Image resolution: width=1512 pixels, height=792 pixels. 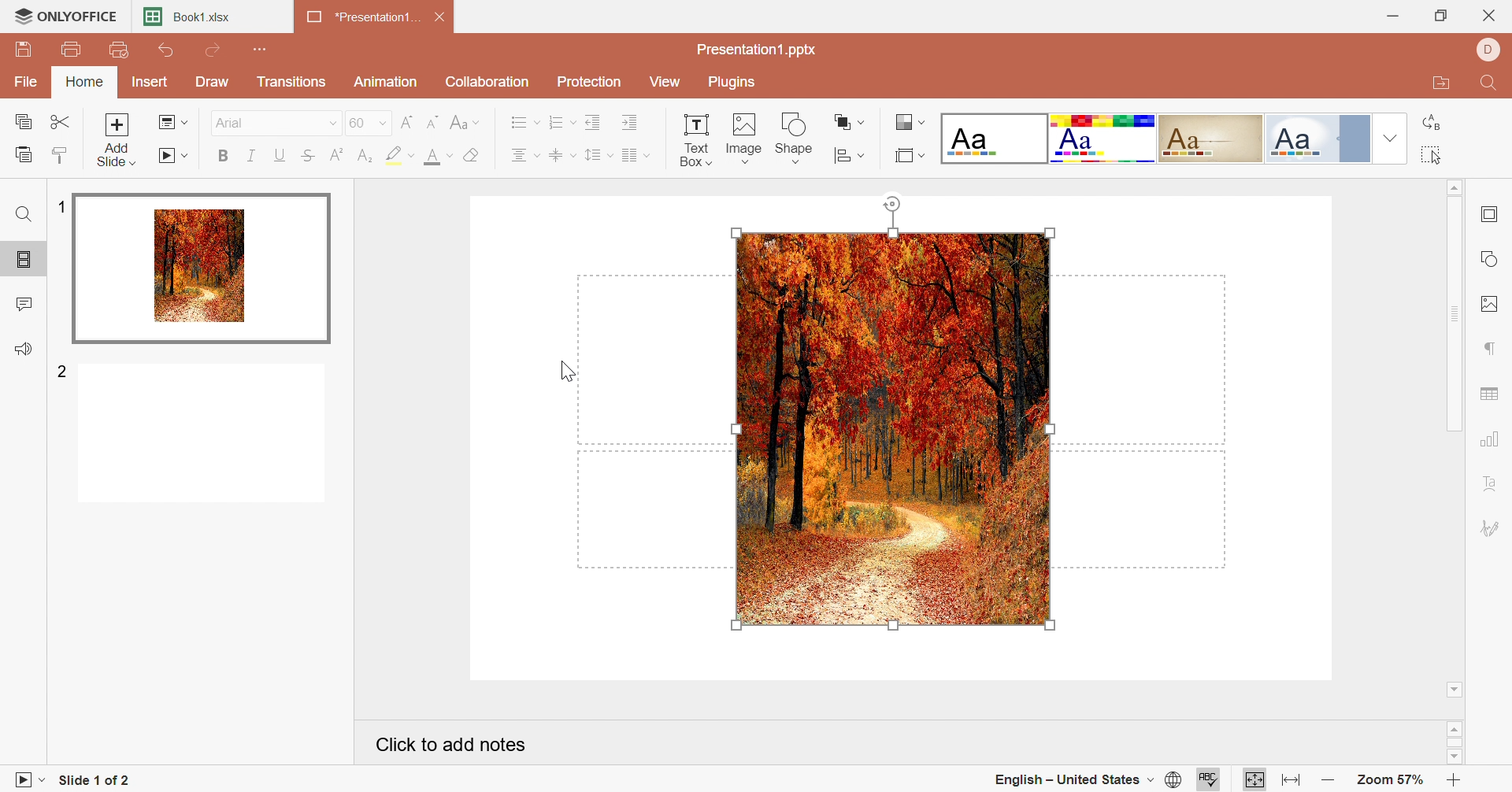 What do you see at coordinates (1494, 214) in the screenshot?
I see `slide settings` at bounding box center [1494, 214].